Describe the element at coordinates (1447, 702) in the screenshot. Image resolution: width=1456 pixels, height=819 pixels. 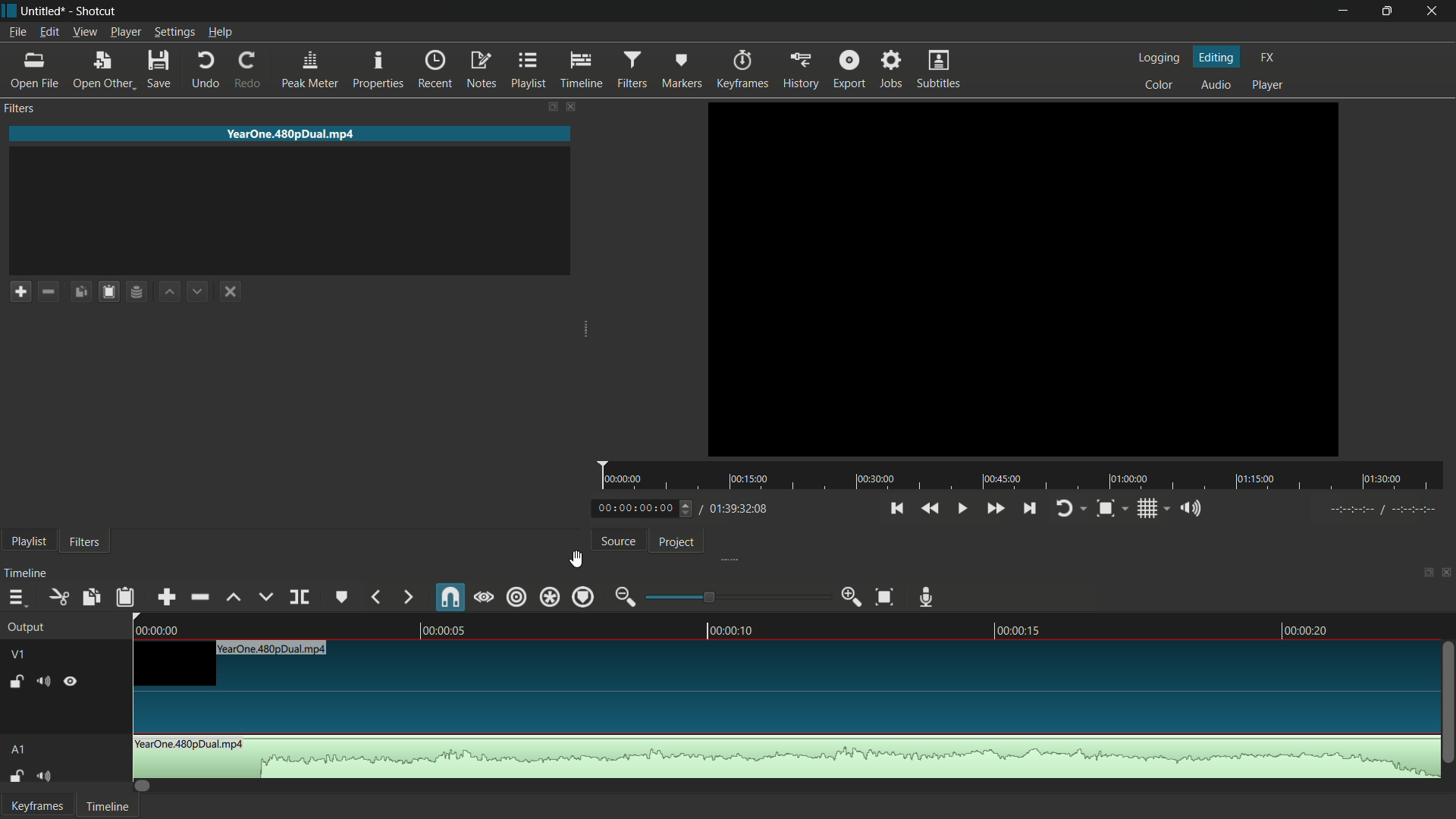
I see `scroll bar` at that location.